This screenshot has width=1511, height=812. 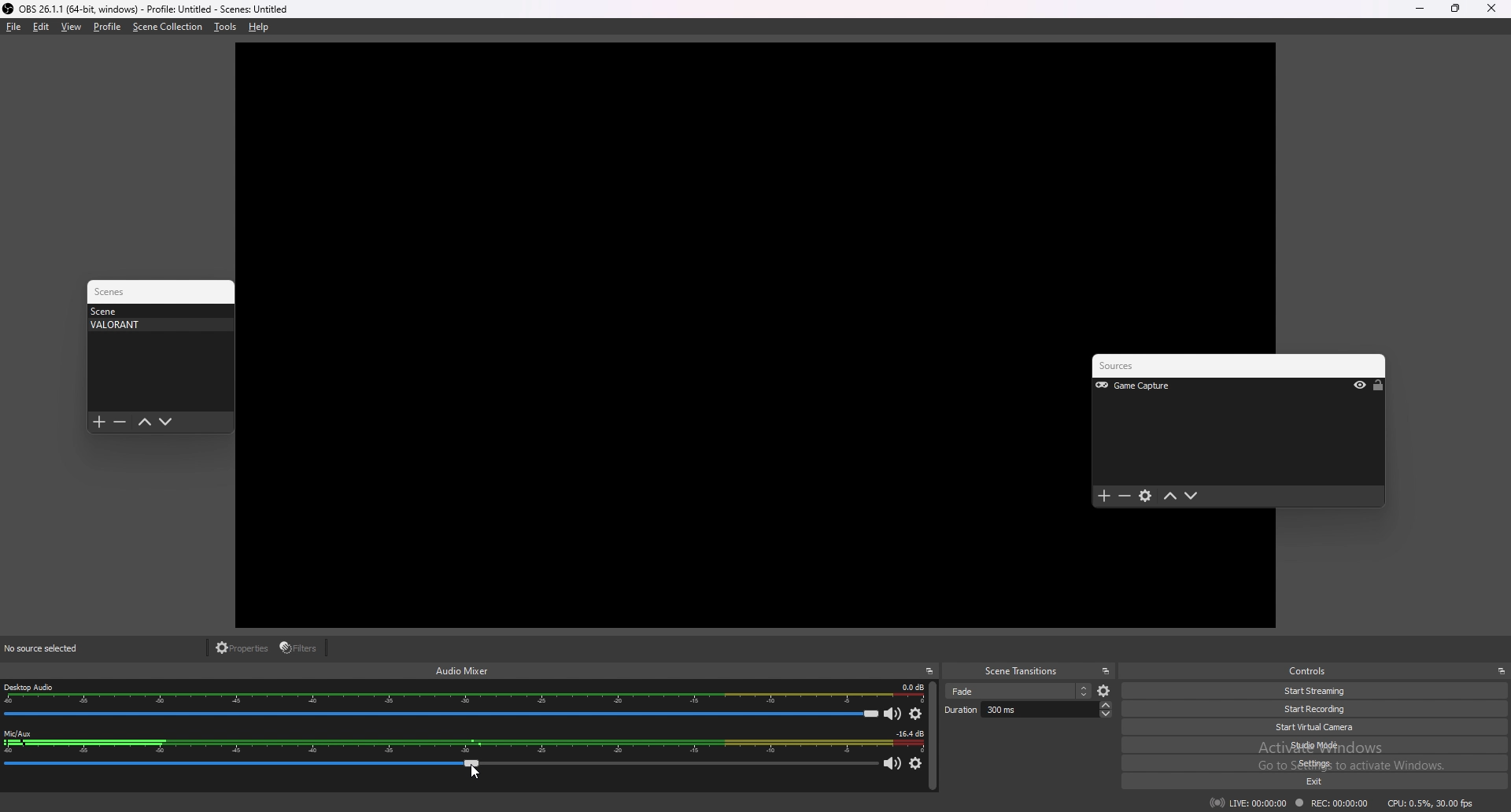 I want to click on minimize, so click(x=1419, y=9).